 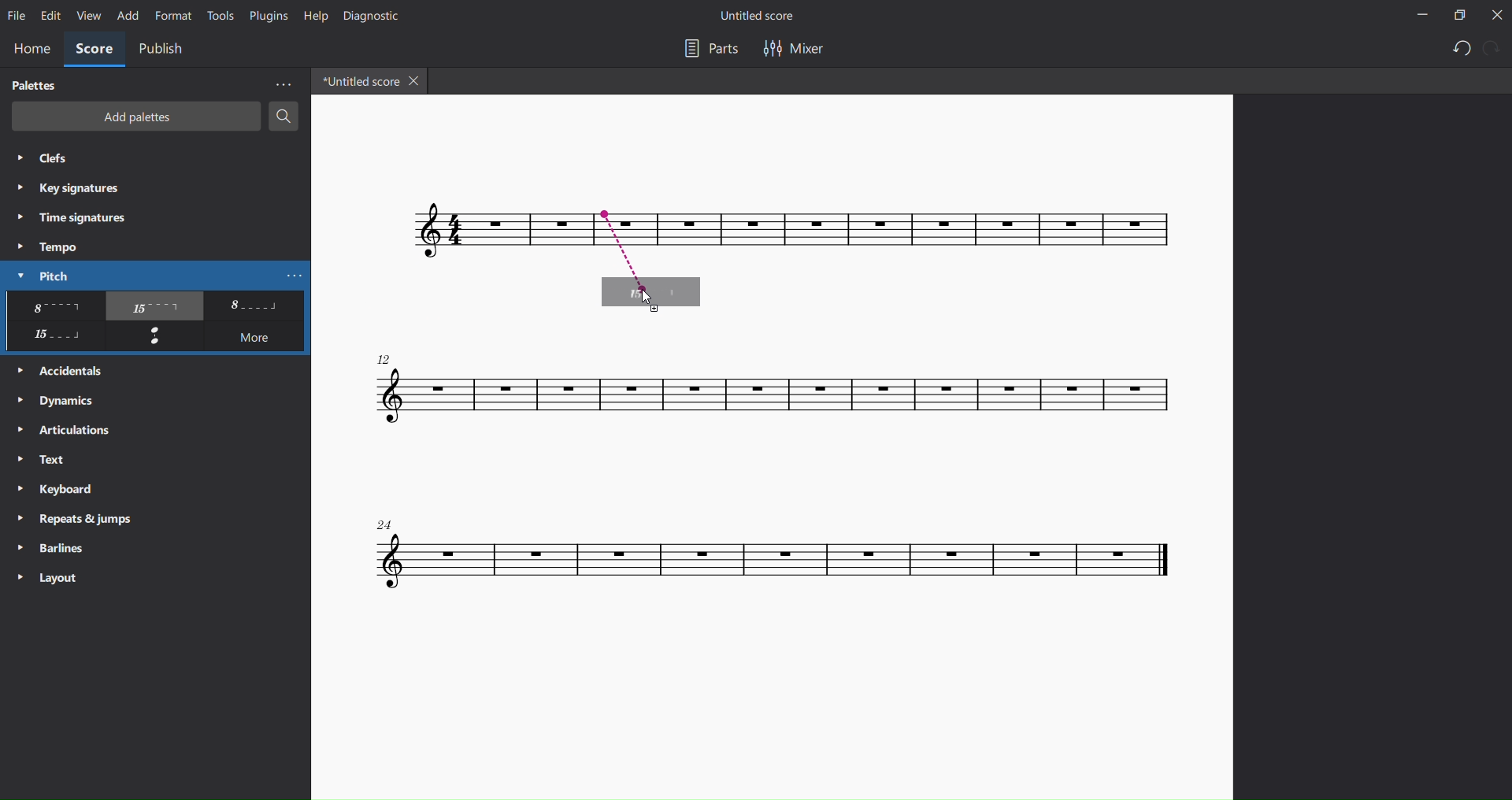 I want to click on more pitch options, so click(x=295, y=275).